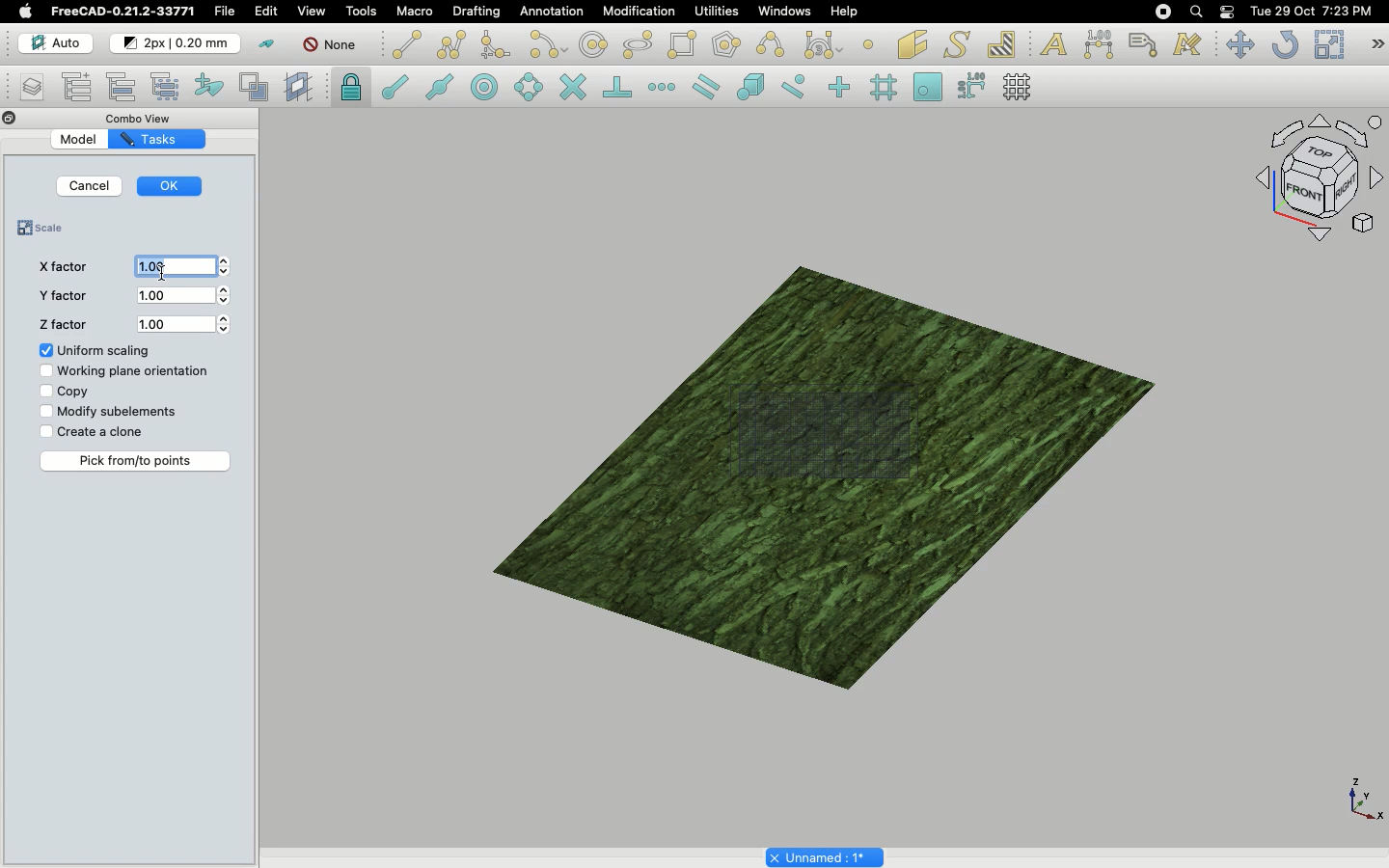  What do you see at coordinates (437, 86) in the screenshot?
I see `Snap midpoint` at bounding box center [437, 86].